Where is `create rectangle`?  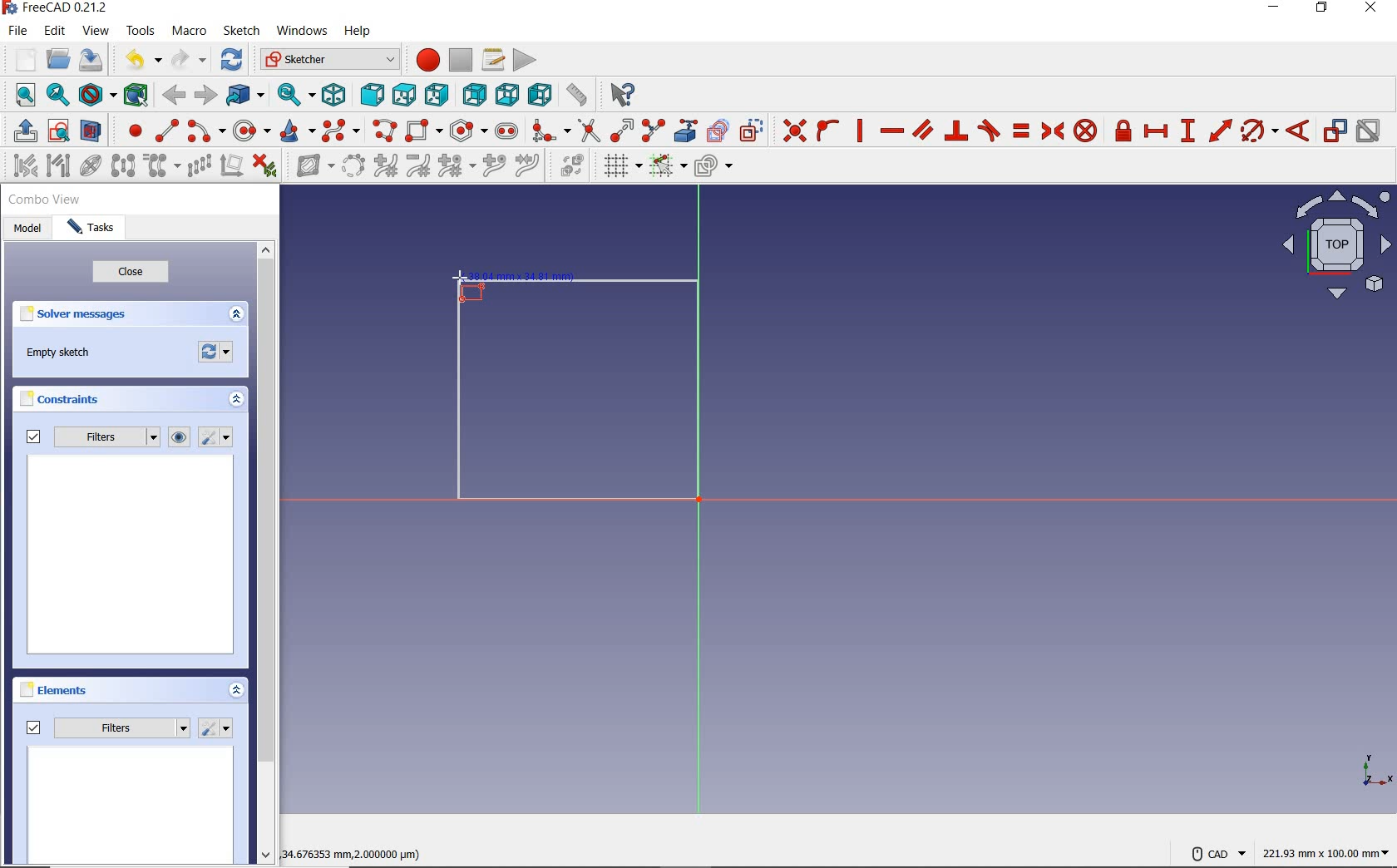
create rectangle is located at coordinates (424, 130).